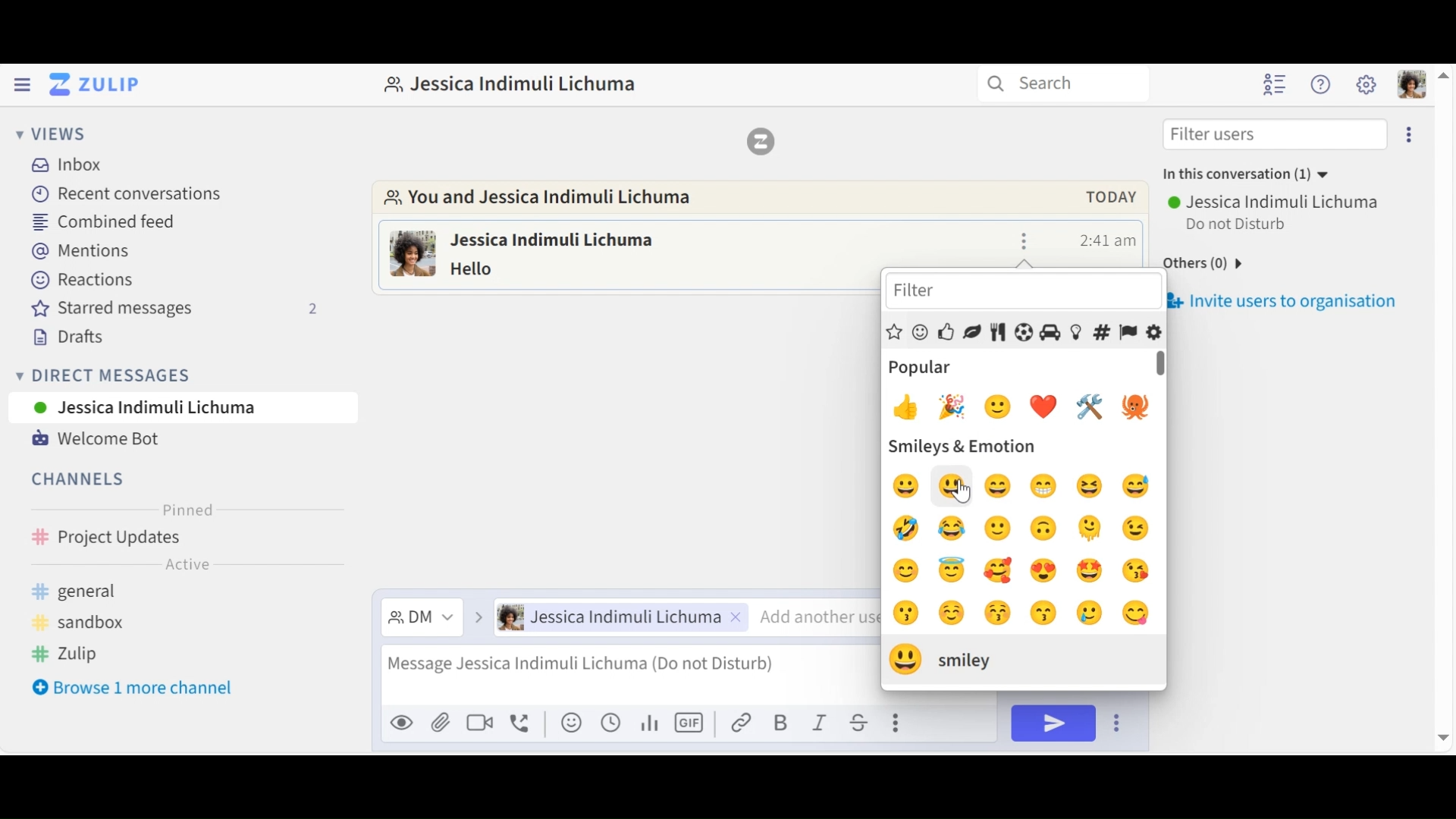  Describe the element at coordinates (1042, 613) in the screenshot. I see `kiss` at that location.